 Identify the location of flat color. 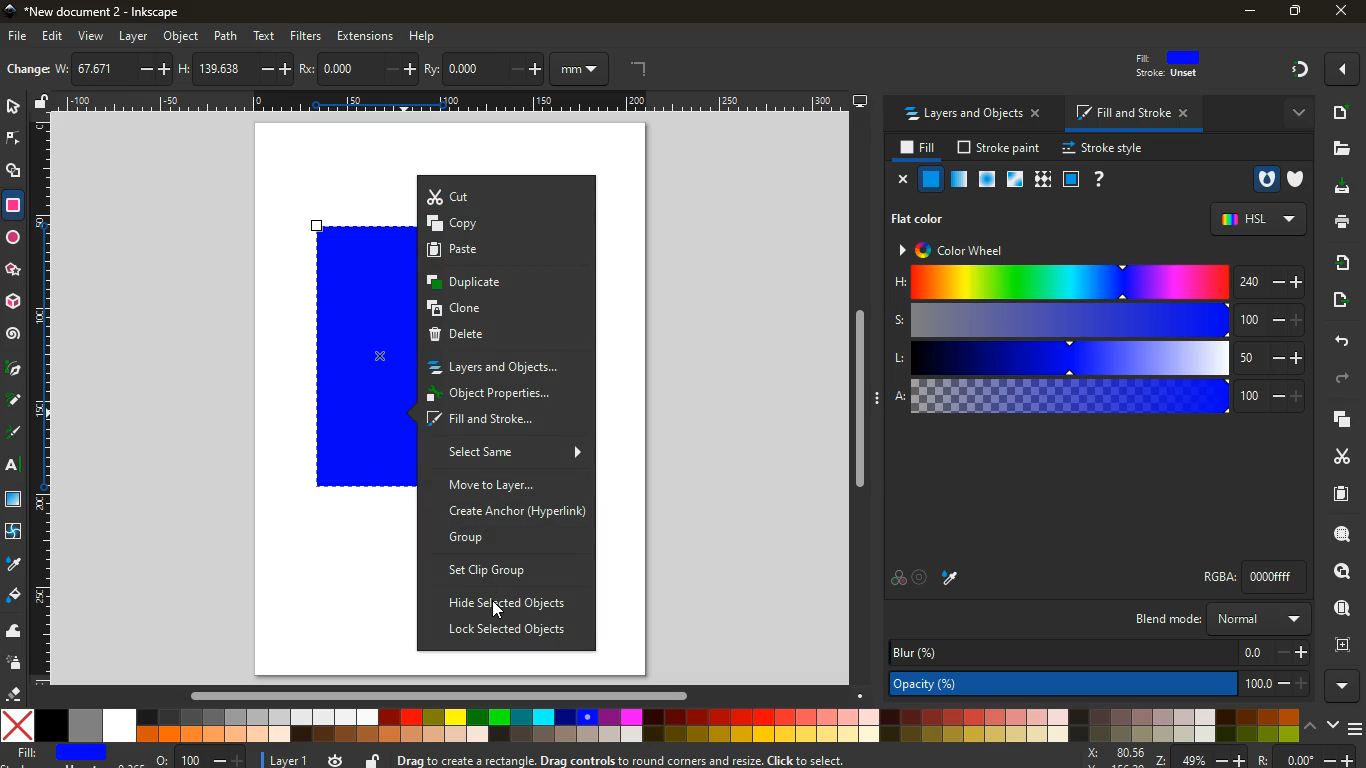
(916, 219).